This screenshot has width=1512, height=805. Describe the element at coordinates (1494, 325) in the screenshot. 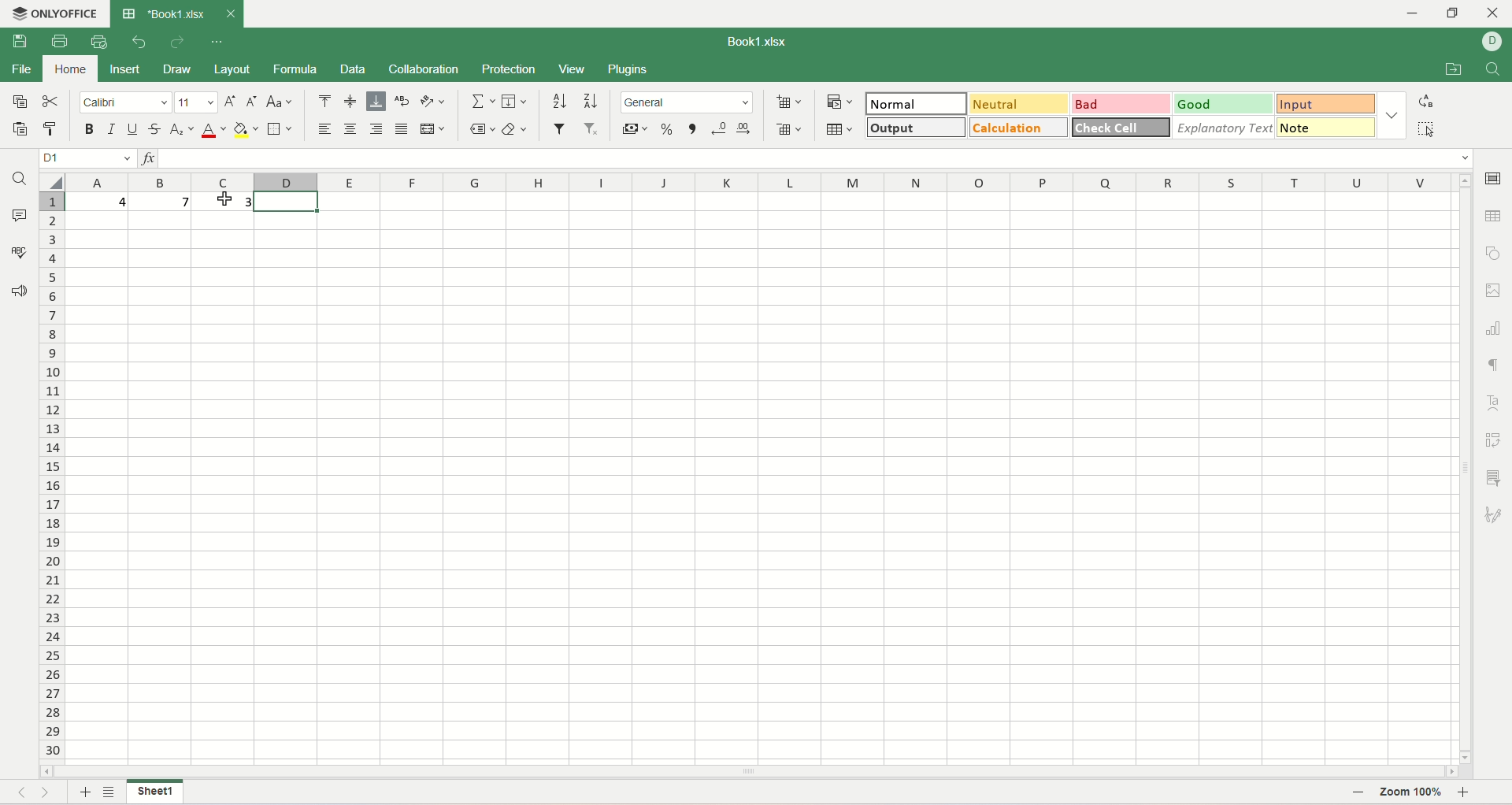

I see `chart settiings` at that location.